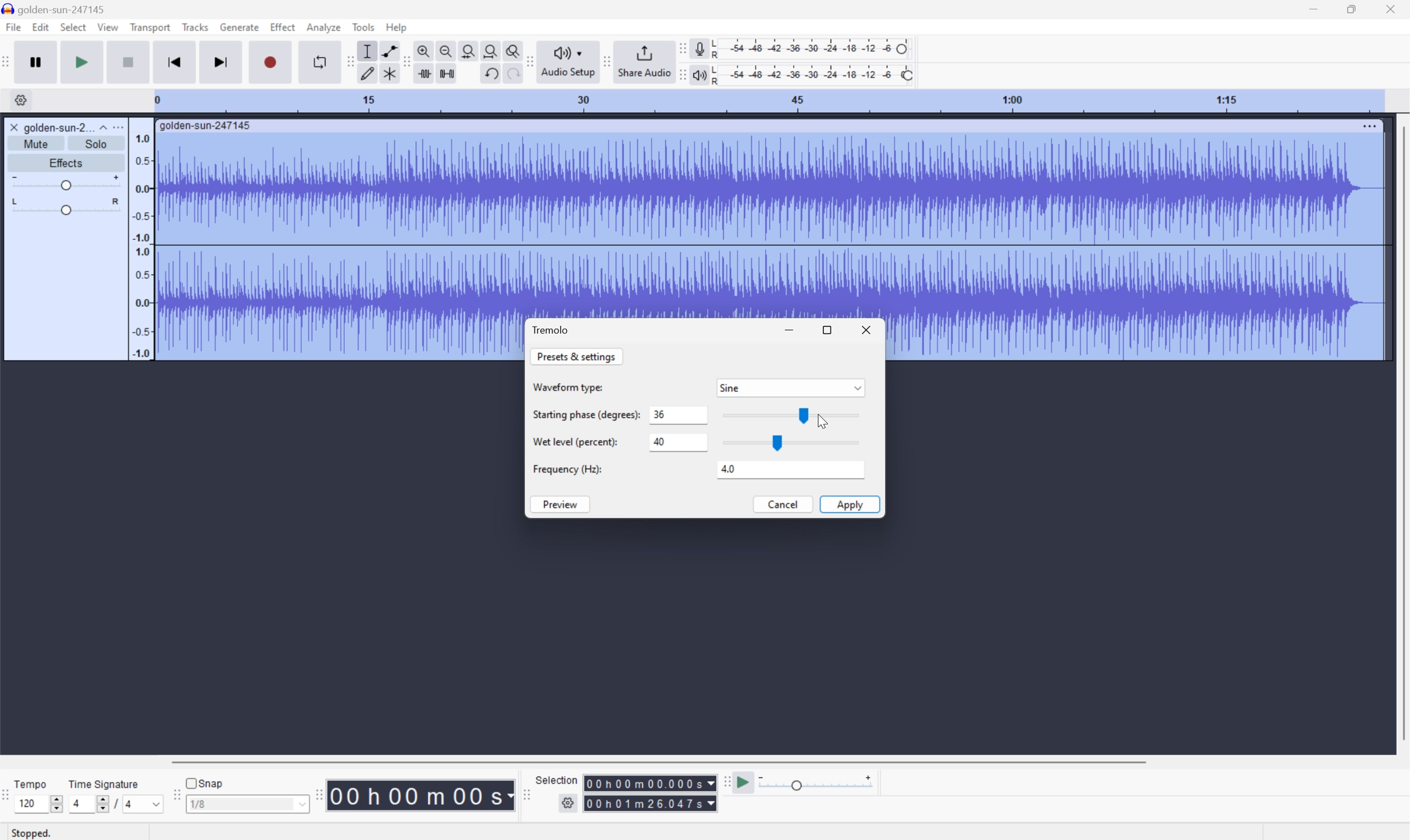  What do you see at coordinates (551, 328) in the screenshot?
I see `Tremolo` at bounding box center [551, 328].